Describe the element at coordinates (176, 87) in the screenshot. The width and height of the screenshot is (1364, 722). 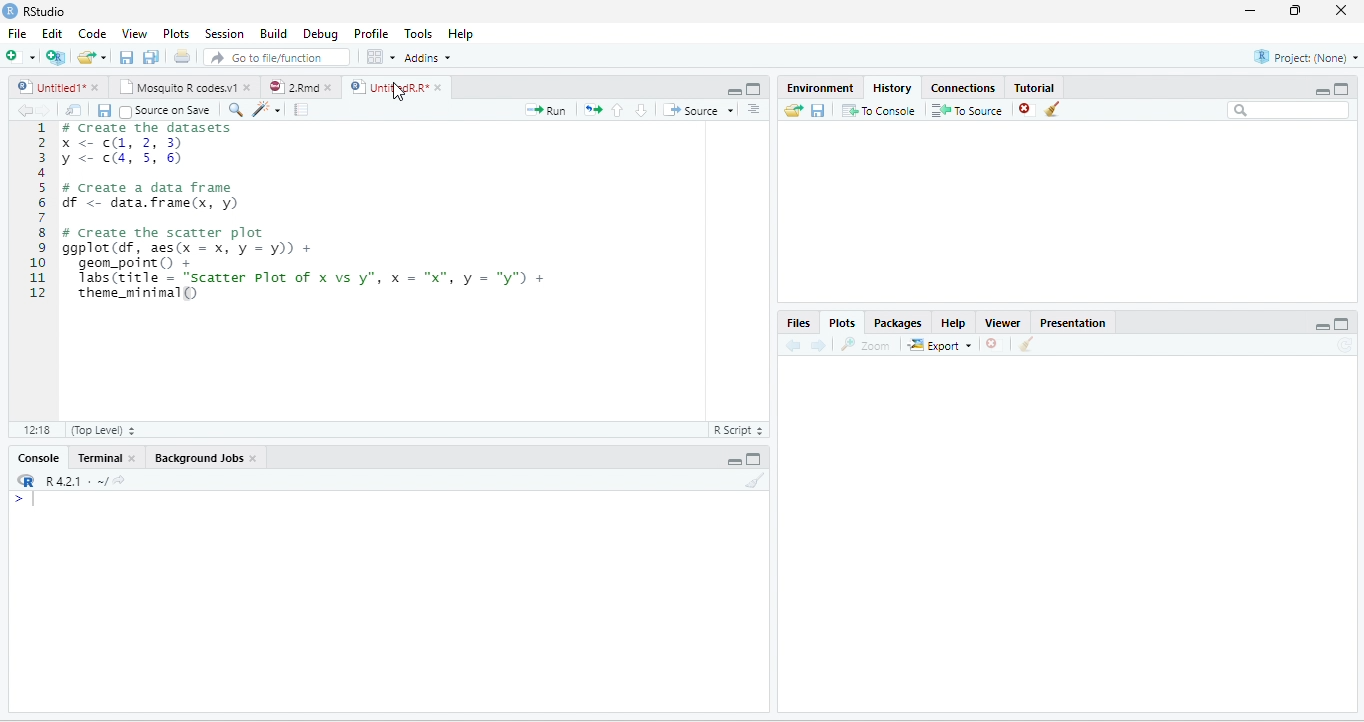
I see `Mosquito R codes.v1` at that location.